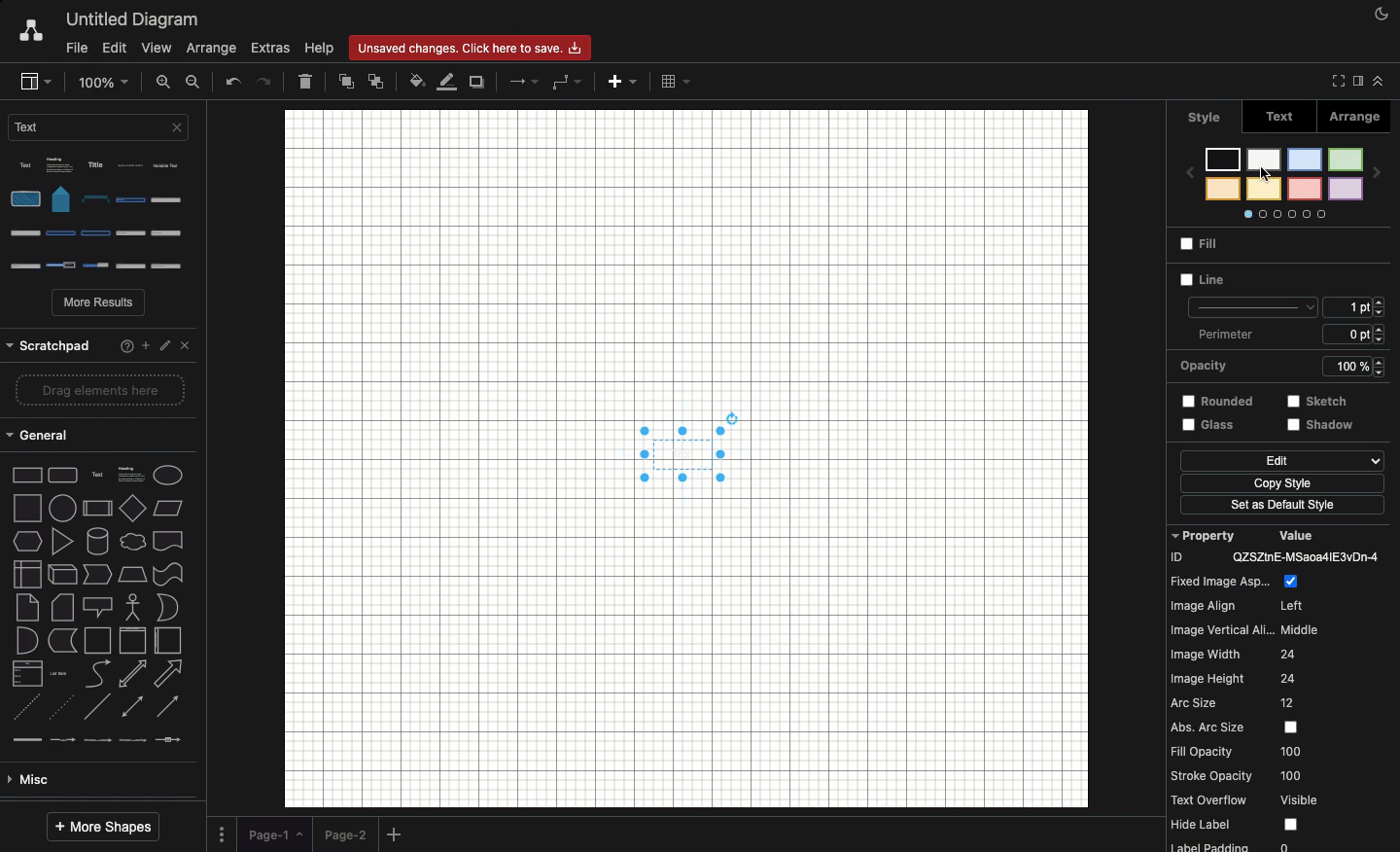 Image resolution: width=1400 pixels, height=852 pixels. I want to click on Canvas, so click(686, 459).